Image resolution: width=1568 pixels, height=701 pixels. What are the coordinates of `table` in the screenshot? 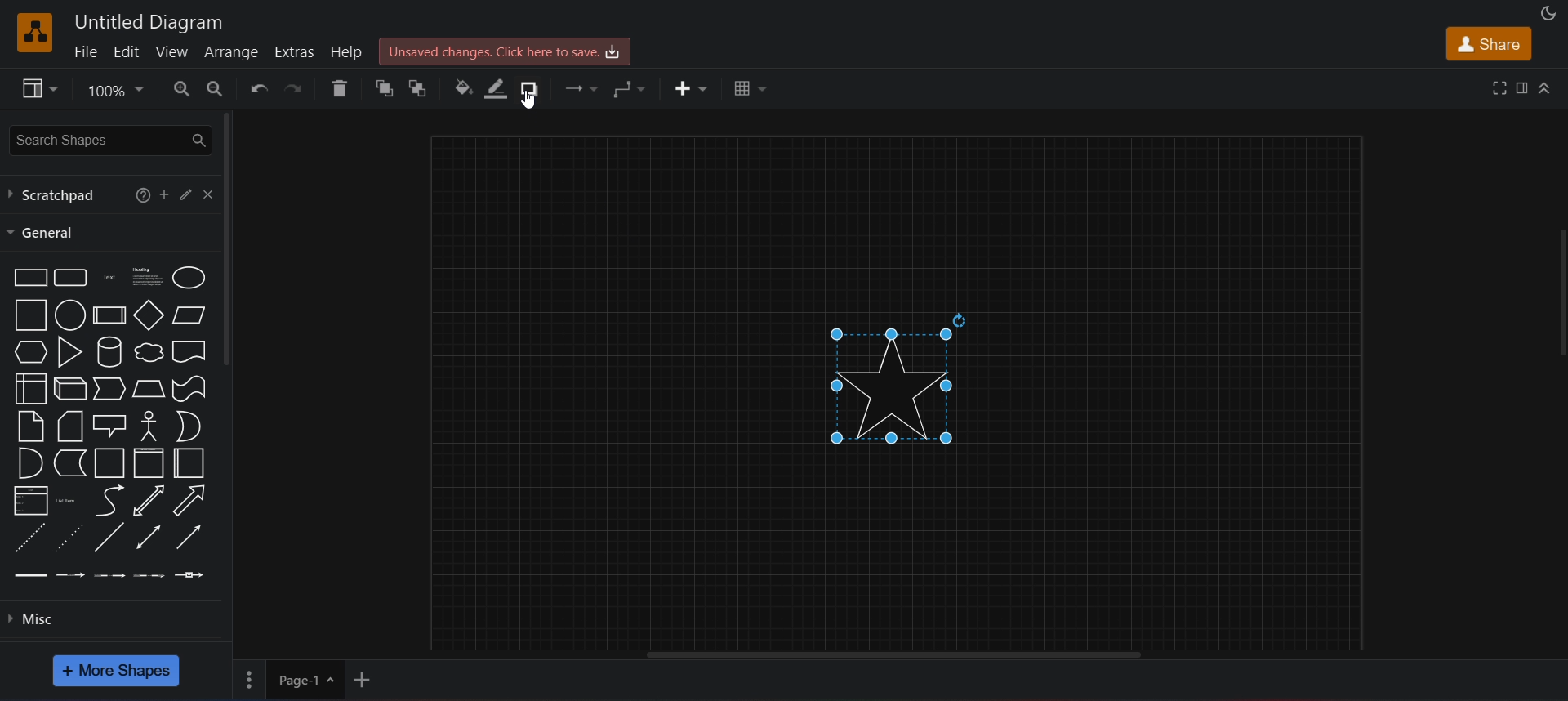 It's located at (747, 90).